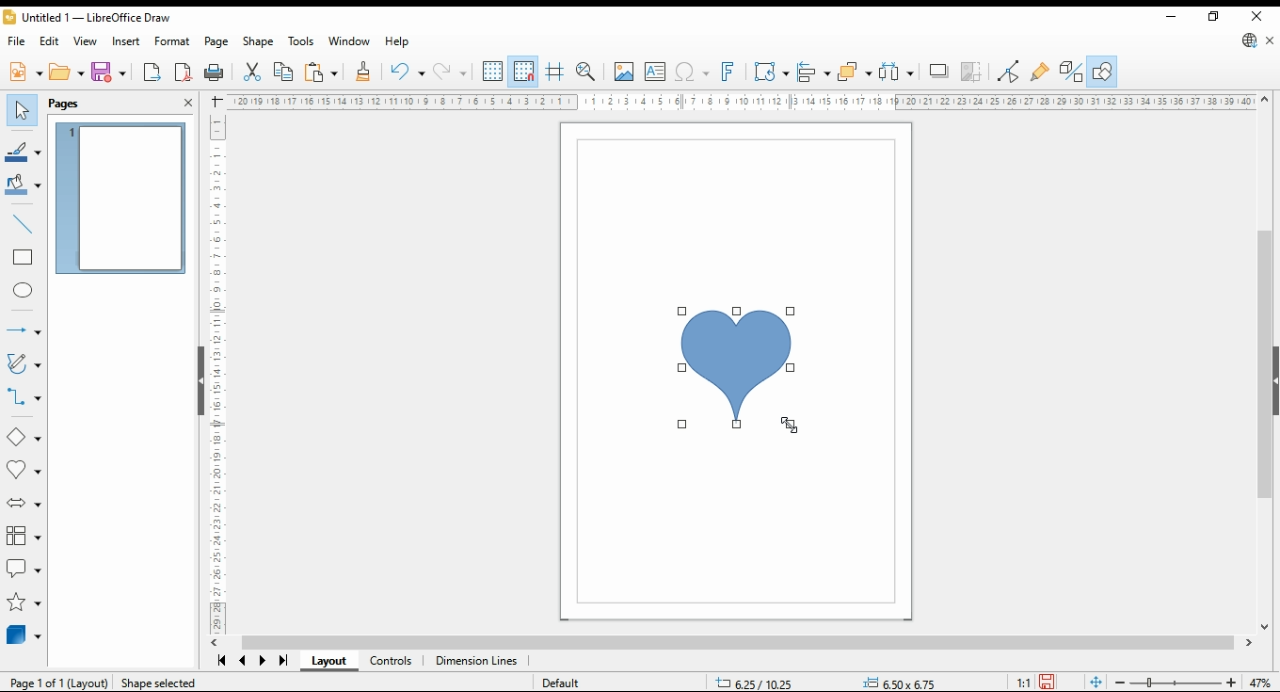 The width and height of the screenshot is (1280, 692). I want to click on 3D objects, so click(23, 635).